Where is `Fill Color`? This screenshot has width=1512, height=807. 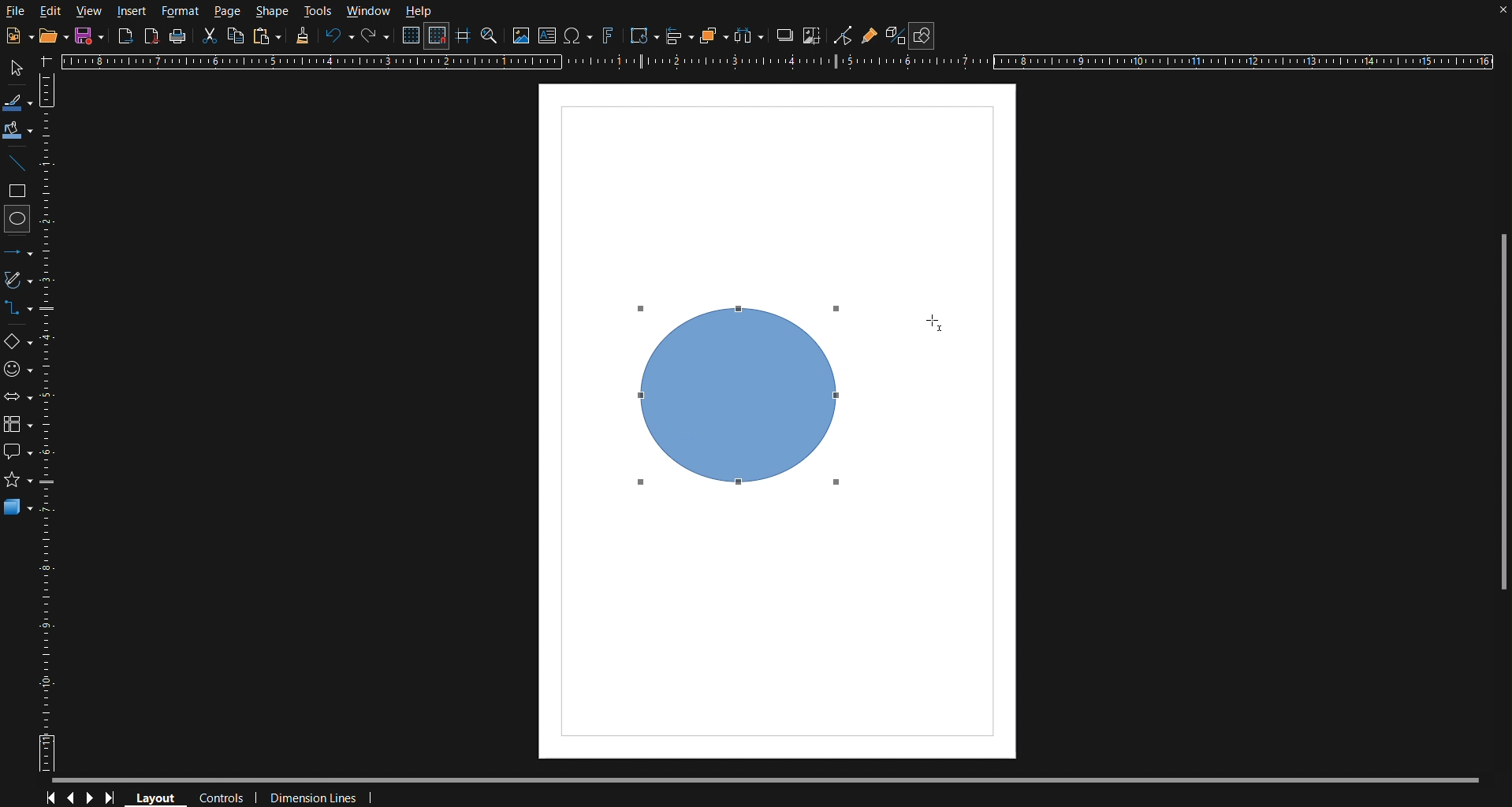
Fill Color is located at coordinates (19, 131).